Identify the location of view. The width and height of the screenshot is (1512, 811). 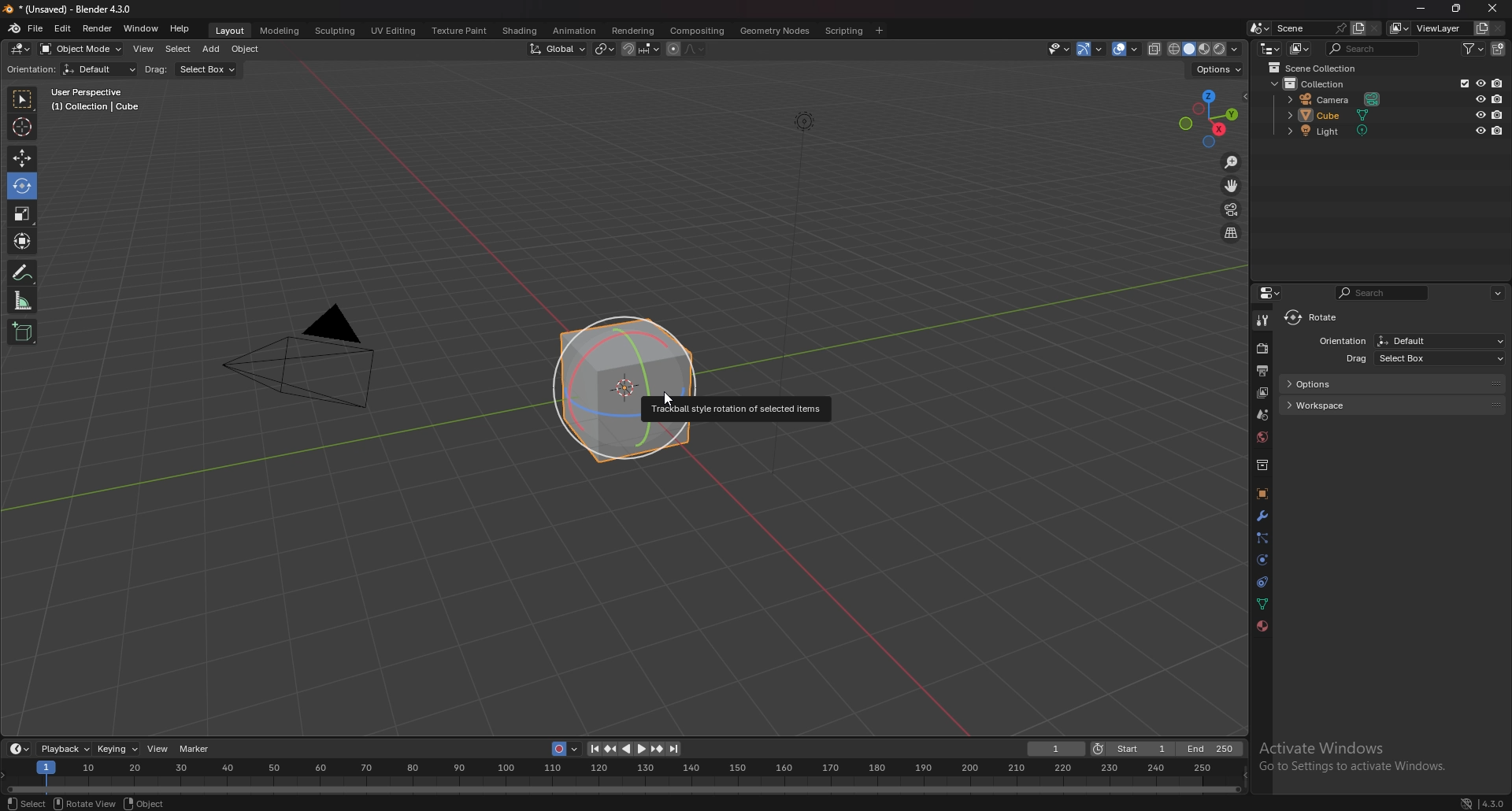
(158, 749).